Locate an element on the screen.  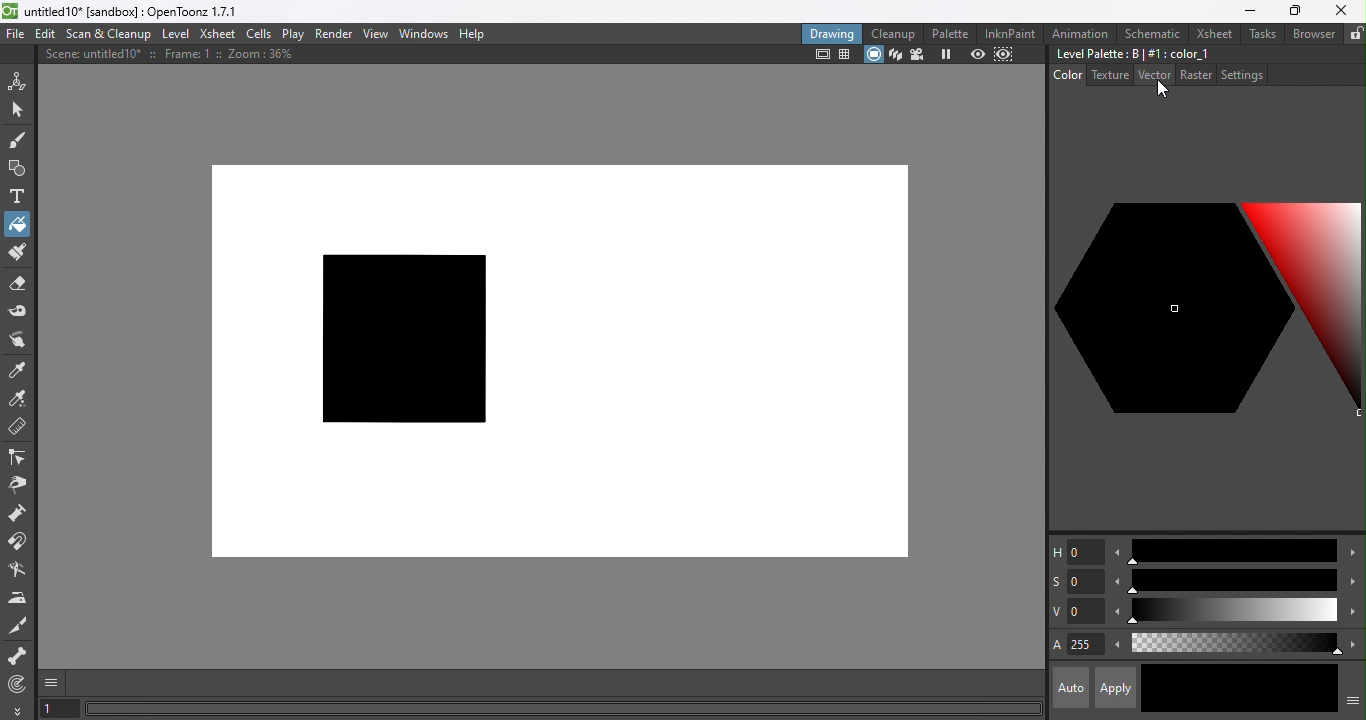
Magnet tool is located at coordinates (20, 543).